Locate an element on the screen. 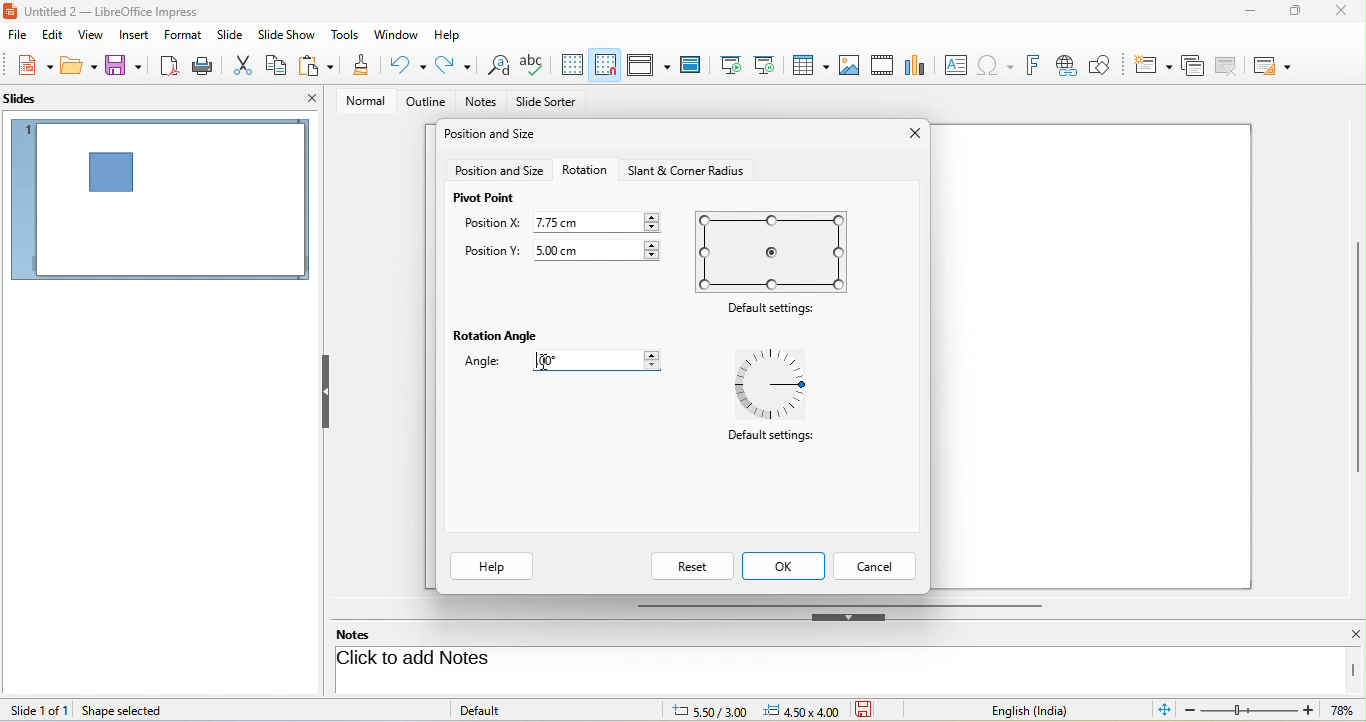 The width and height of the screenshot is (1366, 722). display view is located at coordinates (648, 64).